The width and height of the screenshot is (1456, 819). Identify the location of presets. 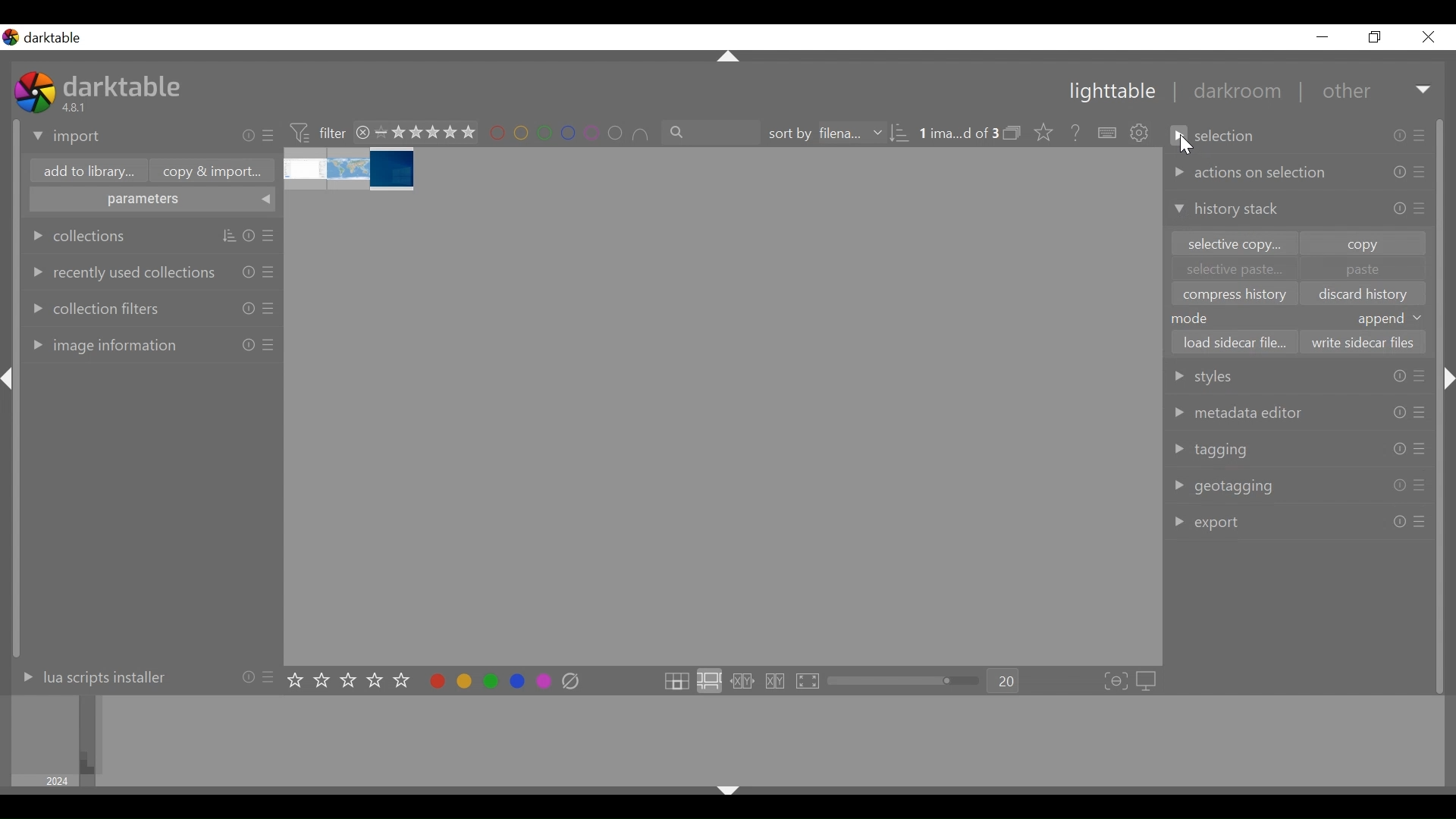
(271, 676).